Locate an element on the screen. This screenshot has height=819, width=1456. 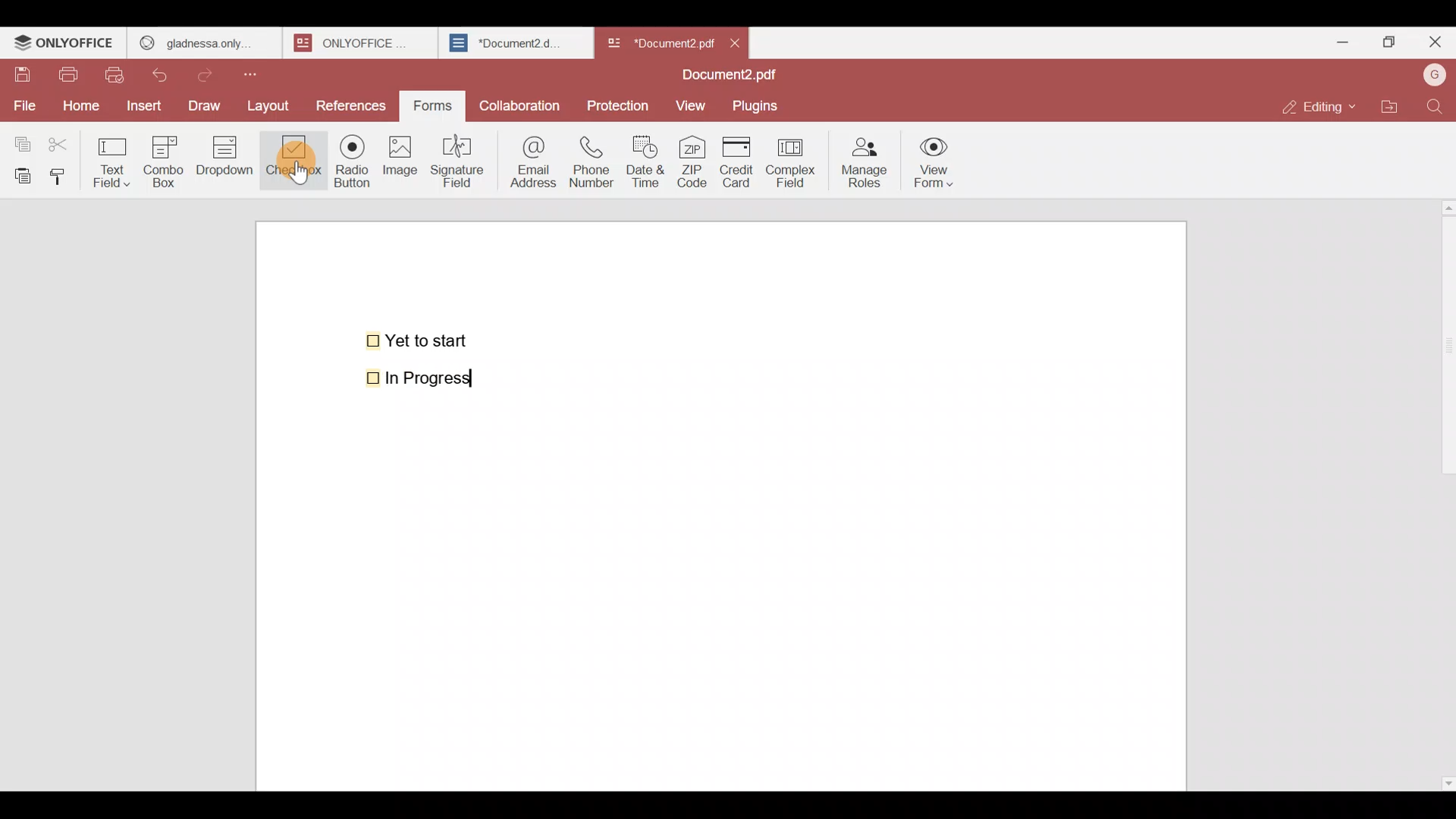
Scroll bar is located at coordinates (1443, 491).